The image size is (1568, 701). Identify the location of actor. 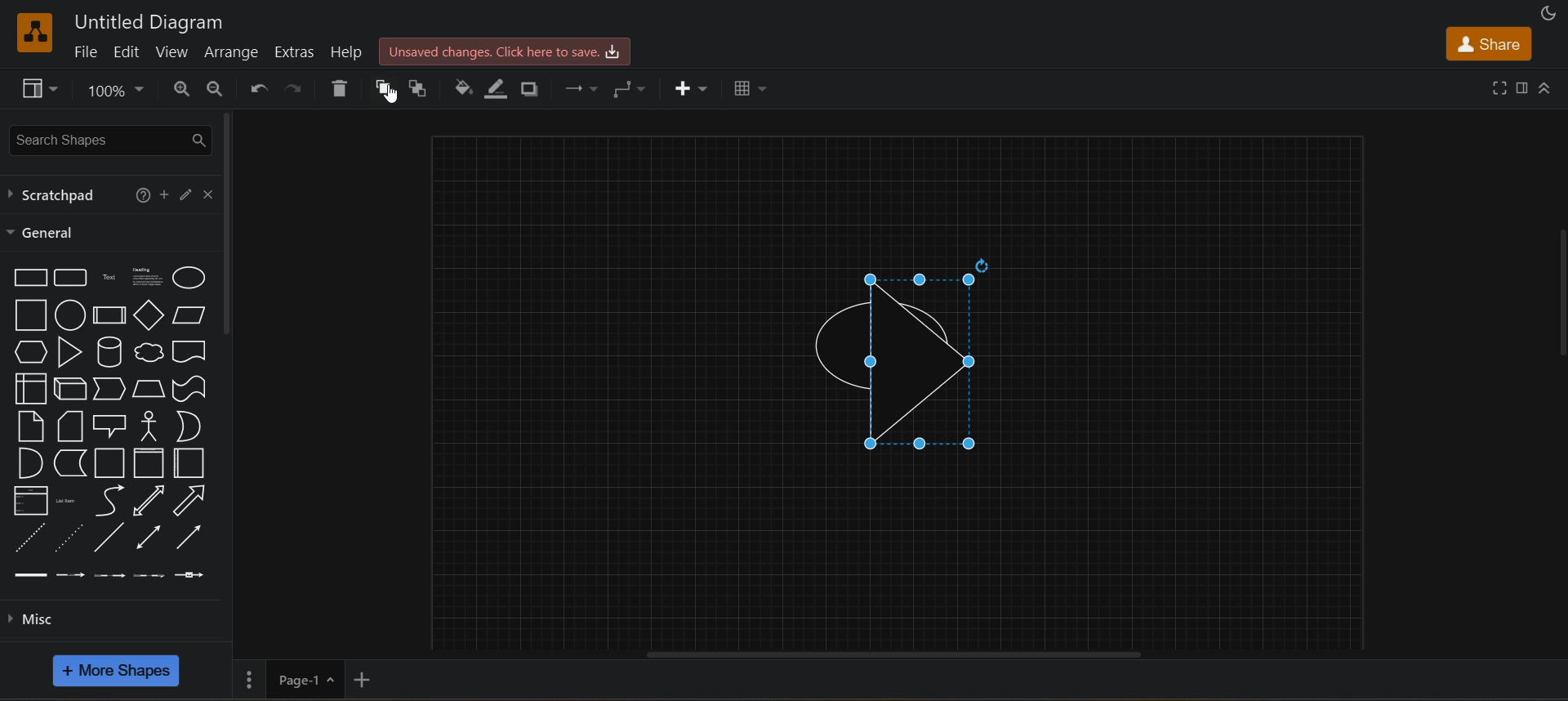
(149, 426).